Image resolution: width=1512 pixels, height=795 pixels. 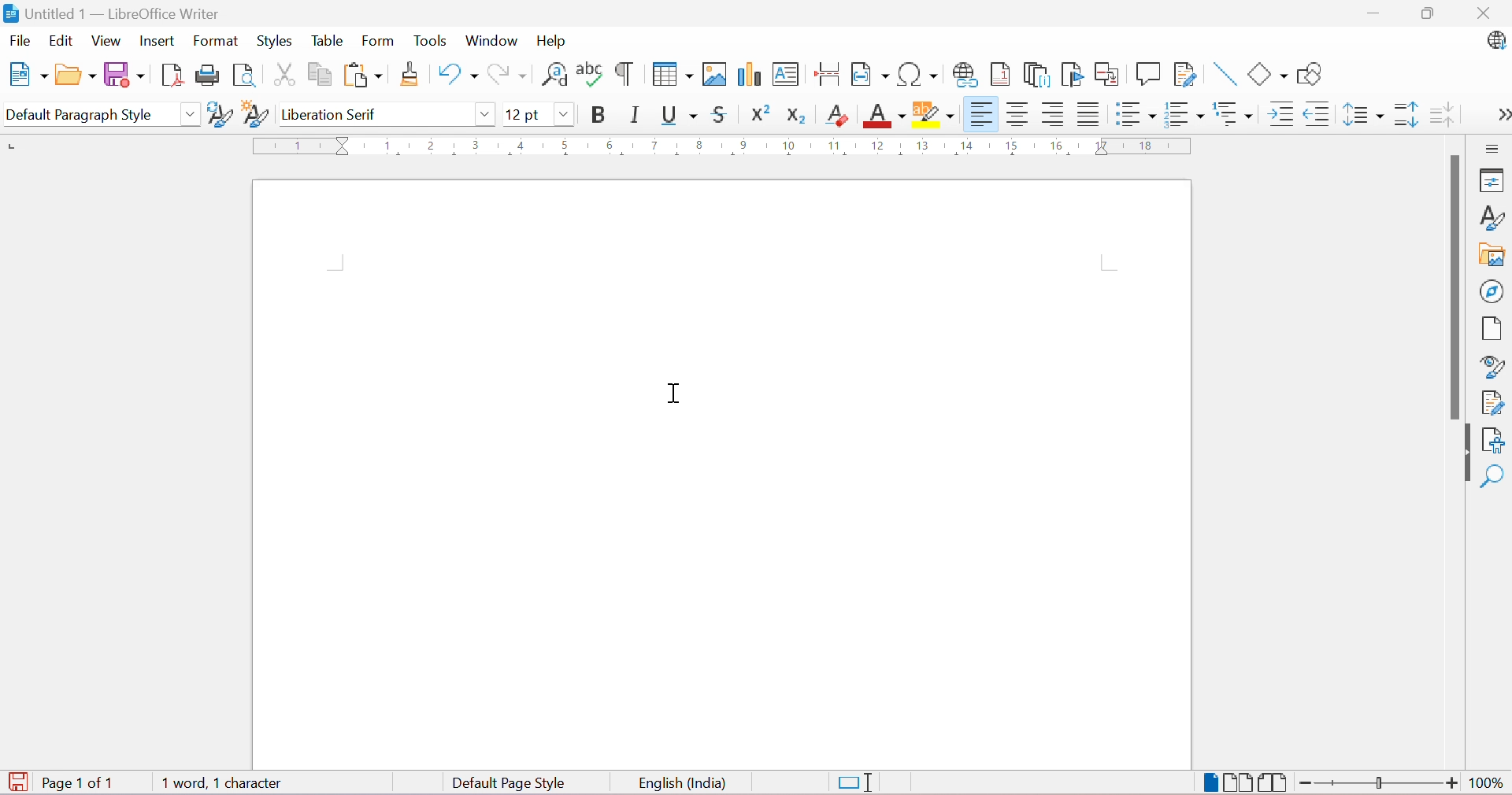 I want to click on Clear Direct Formatting, so click(x=836, y=114).